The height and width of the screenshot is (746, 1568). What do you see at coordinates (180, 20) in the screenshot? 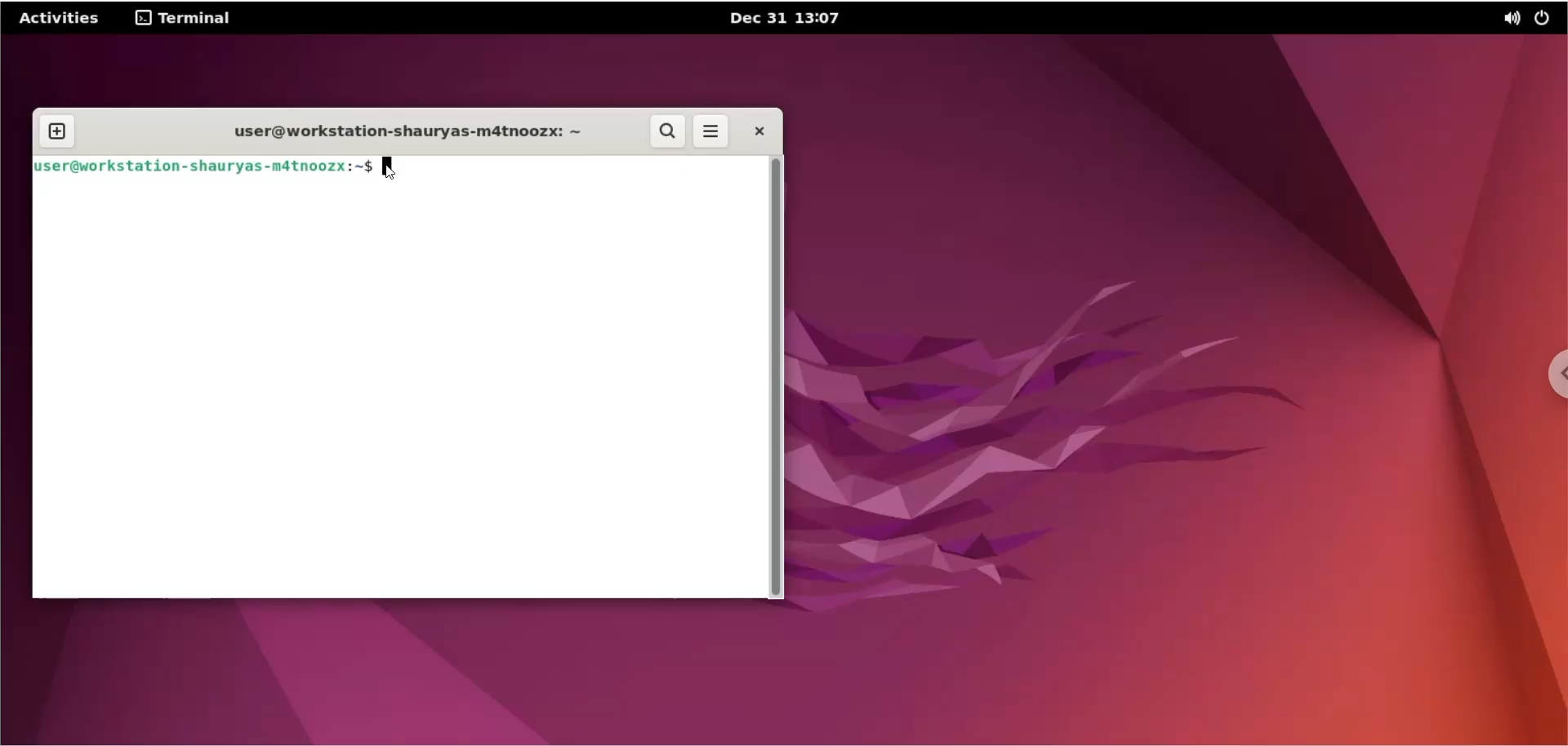
I see `terminal` at bounding box center [180, 20].